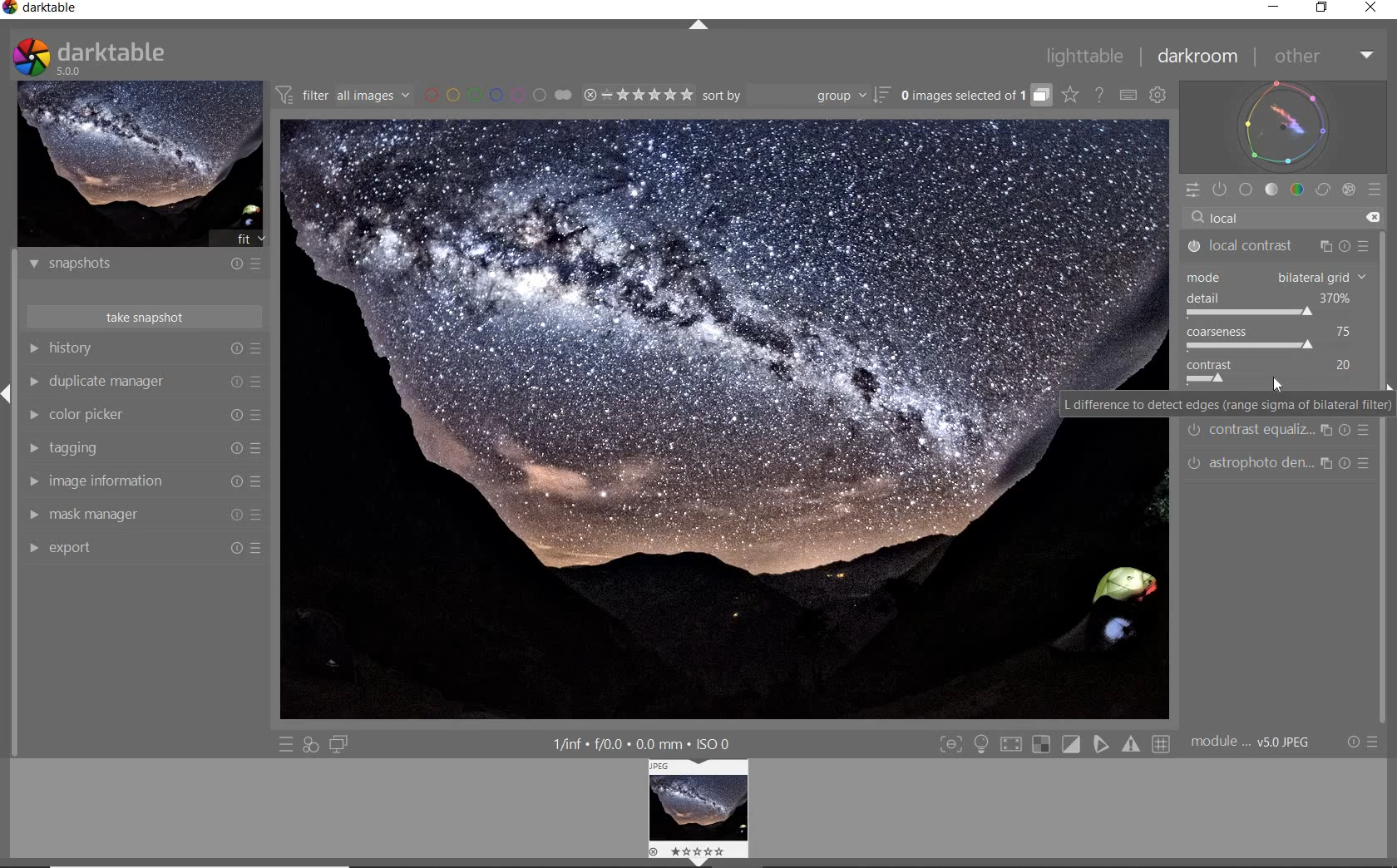  Describe the element at coordinates (111, 379) in the screenshot. I see `Duplicate manager` at that location.